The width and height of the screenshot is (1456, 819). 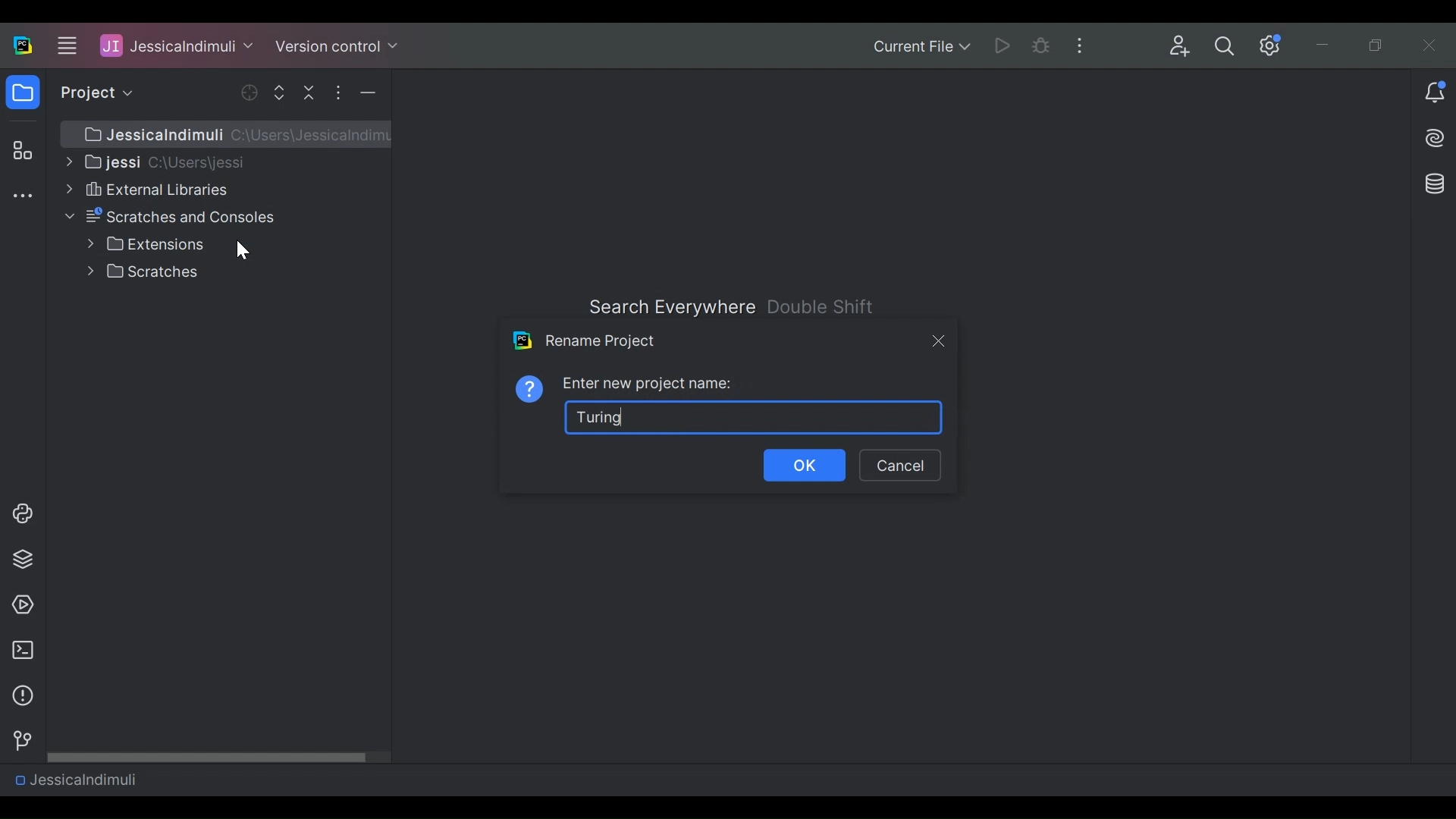 What do you see at coordinates (219, 756) in the screenshot?
I see `Horizontal Scroll bar` at bounding box center [219, 756].